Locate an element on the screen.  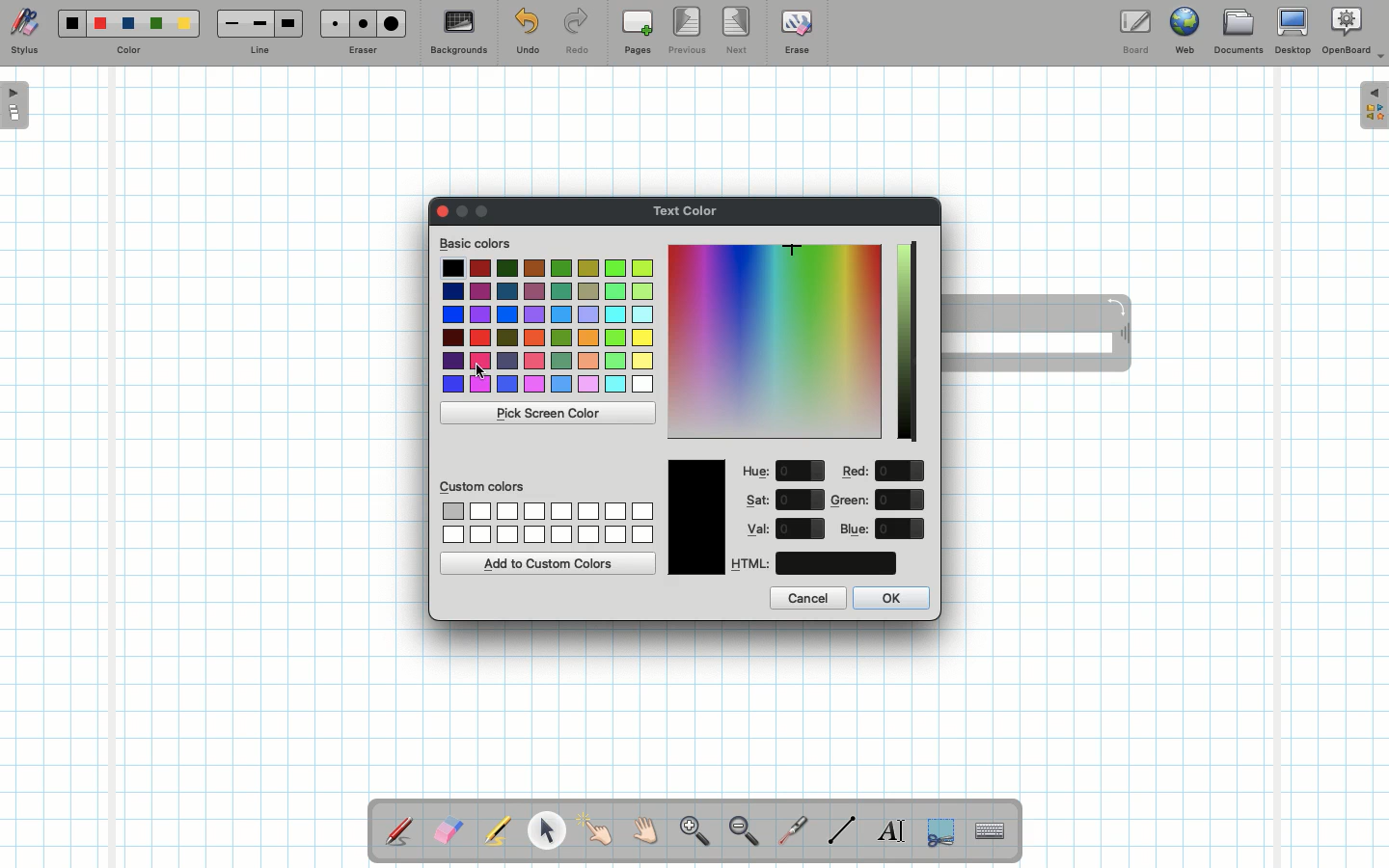
Stylus is located at coordinates (24, 32).